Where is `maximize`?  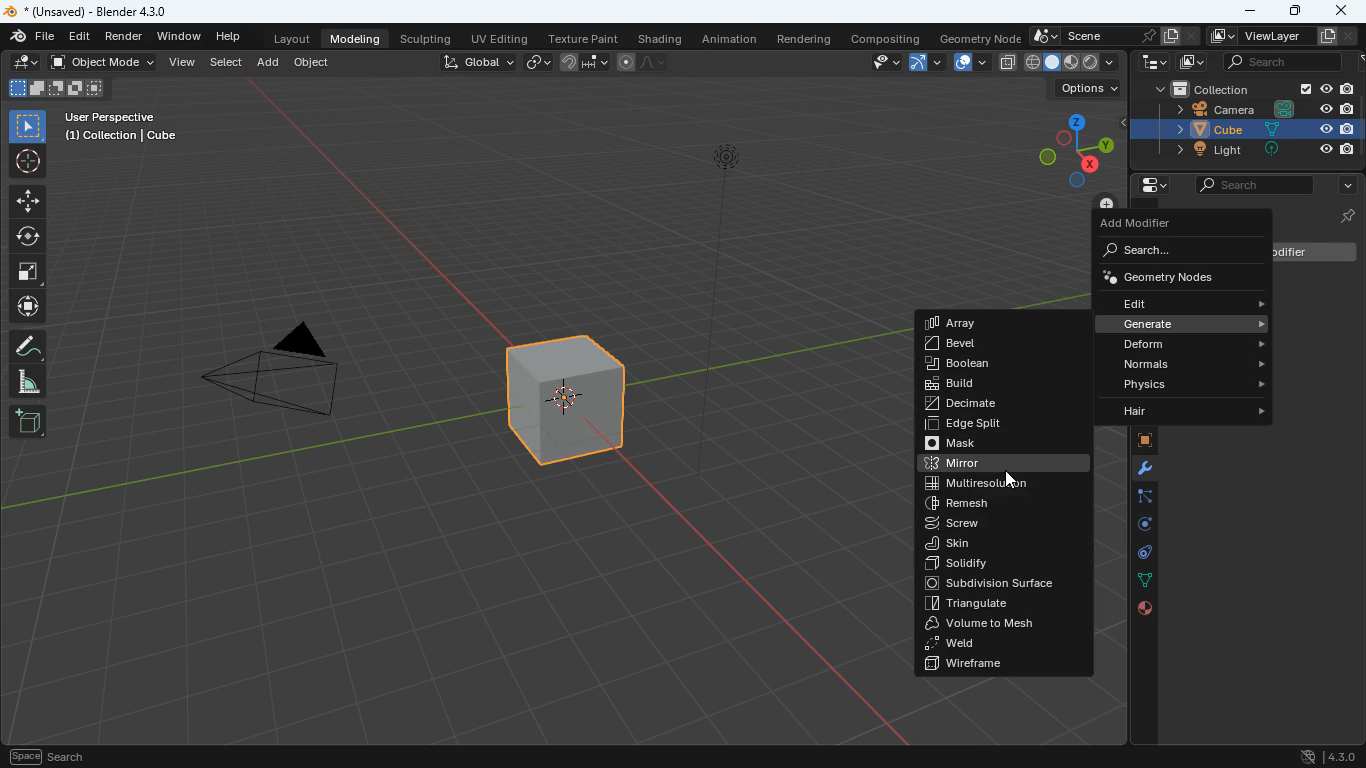 maximize is located at coordinates (1293, 9).